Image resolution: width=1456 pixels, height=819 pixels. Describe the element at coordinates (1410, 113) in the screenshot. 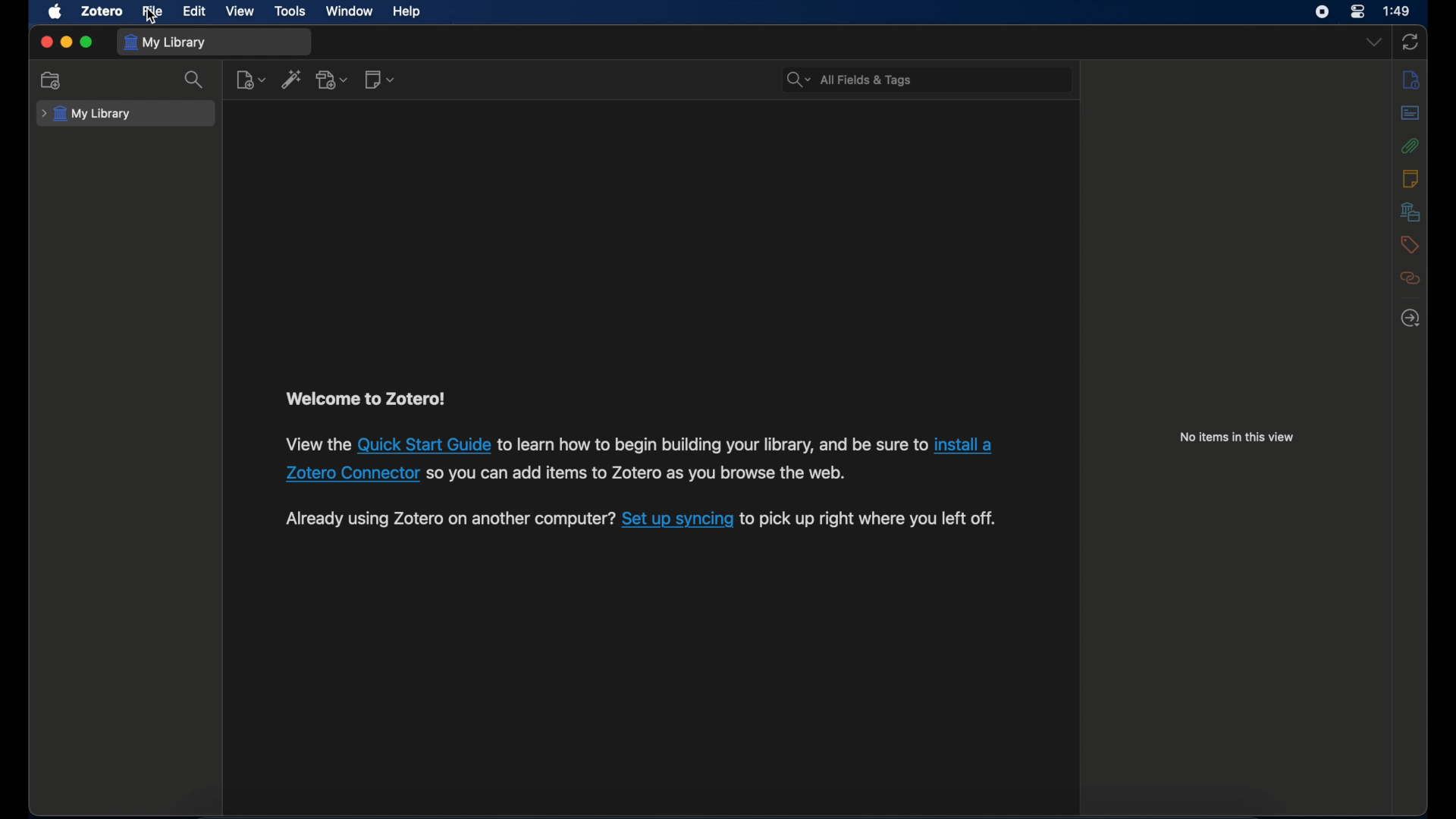

I see `abstract` at that location.